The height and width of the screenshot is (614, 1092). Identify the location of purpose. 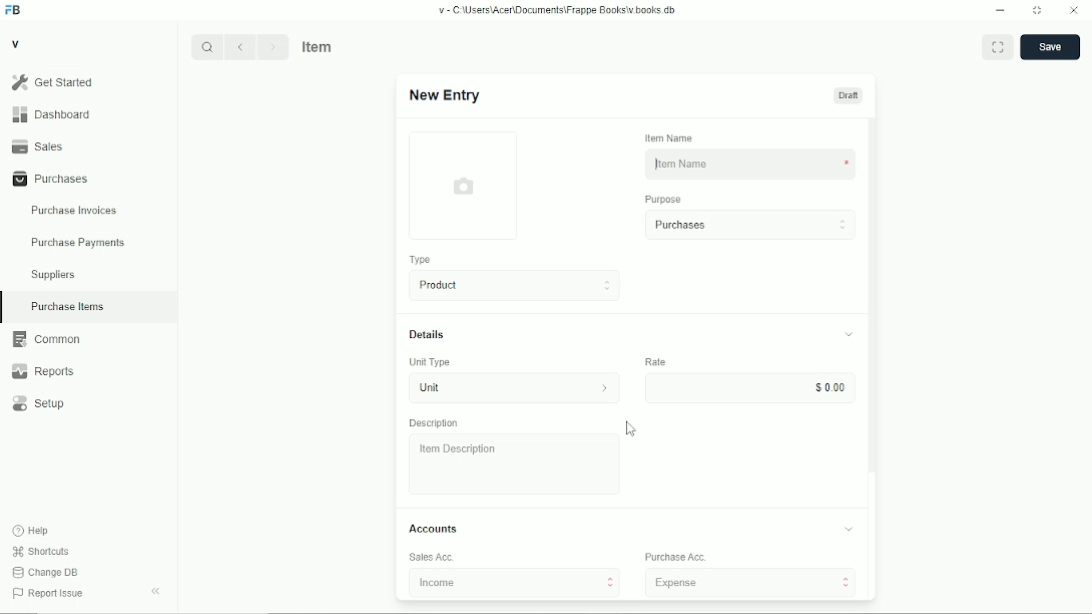
(664, 200).